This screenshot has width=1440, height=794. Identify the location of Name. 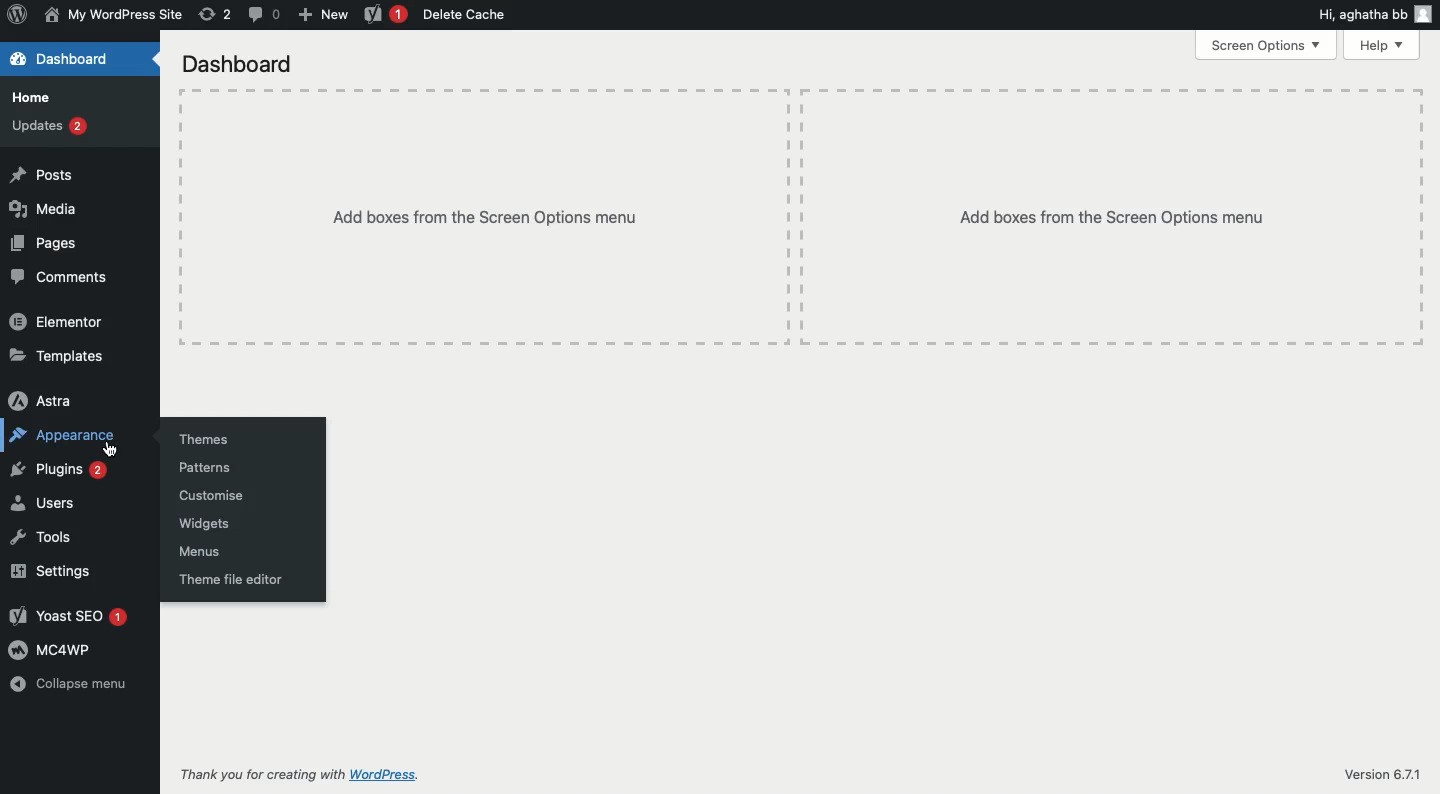
(116, 13).